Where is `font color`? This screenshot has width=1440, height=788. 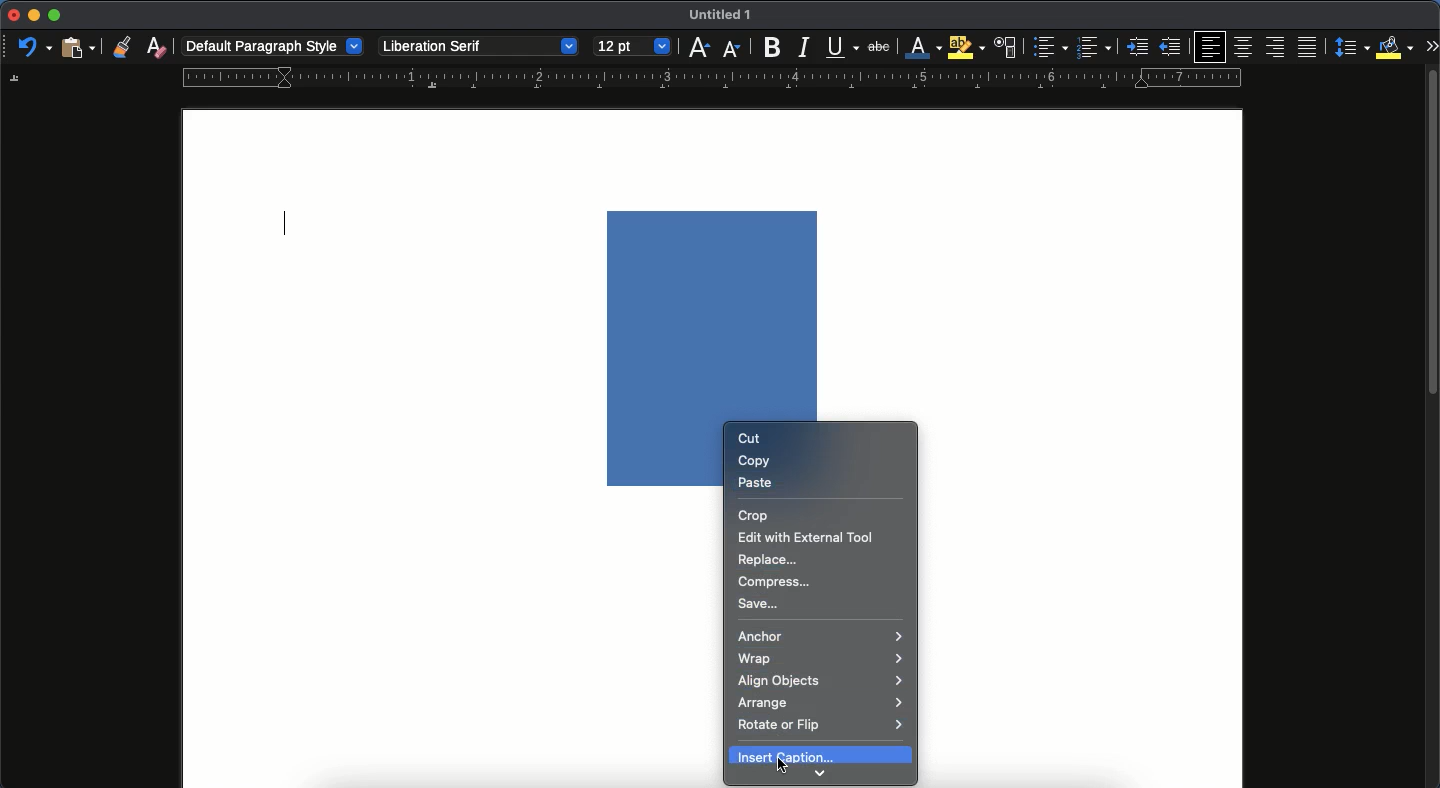 font color is located at coordinates (924, 48).